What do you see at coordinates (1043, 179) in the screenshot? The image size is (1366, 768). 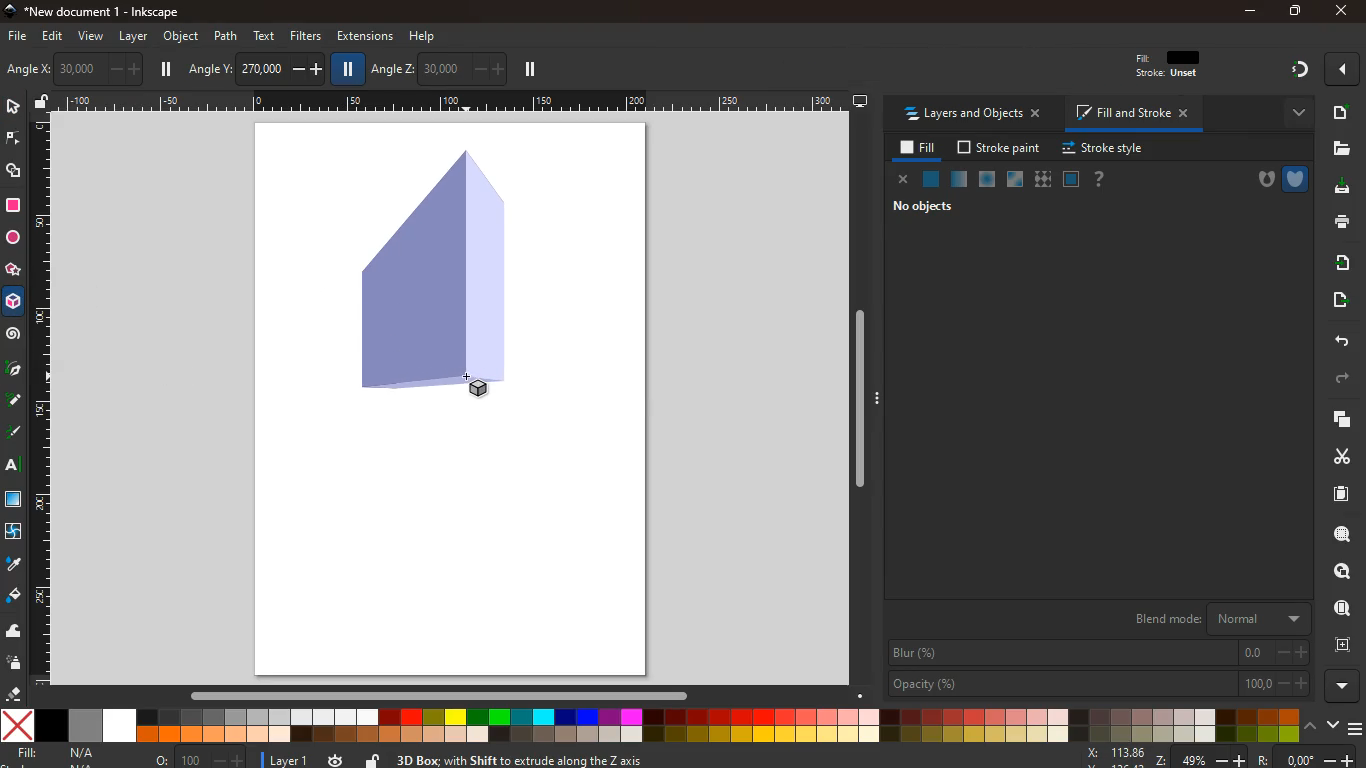 I see `texture` at bounding box center [1043, 179].